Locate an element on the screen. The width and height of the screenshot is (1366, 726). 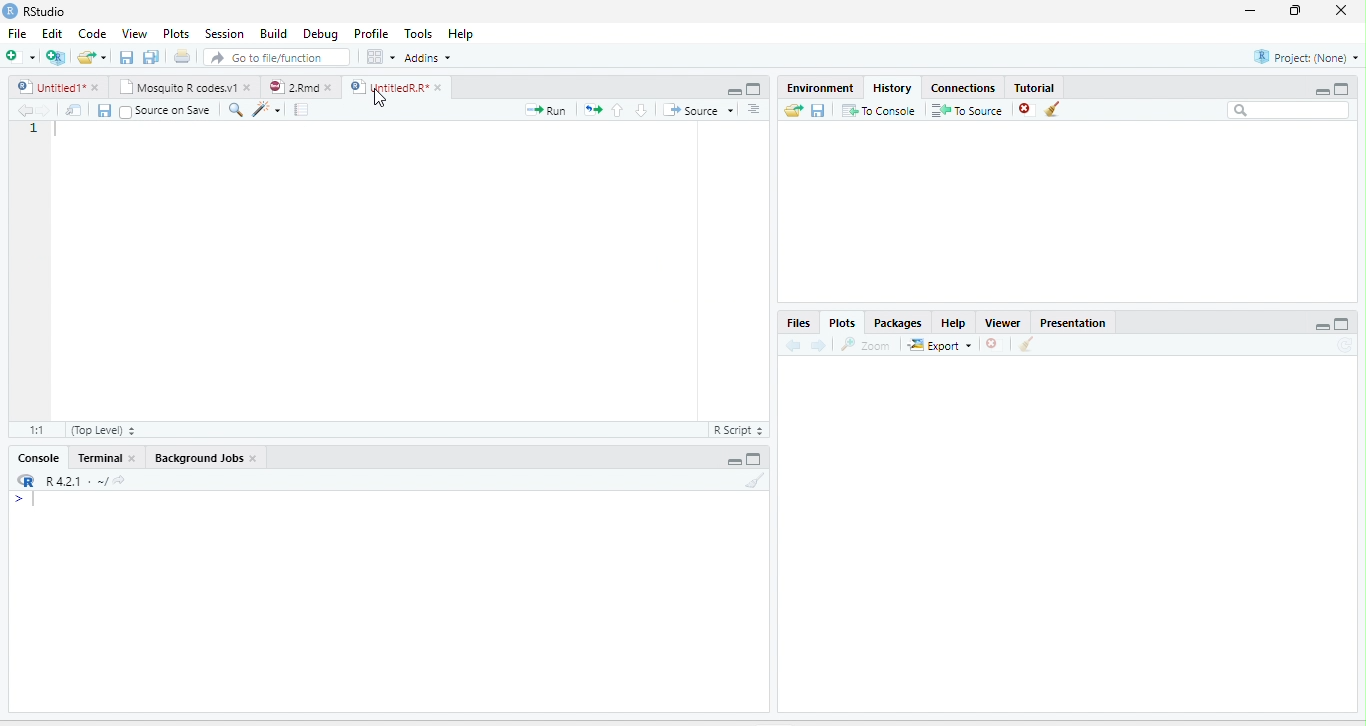
View the current working directory is located at coordinates (120, 479).